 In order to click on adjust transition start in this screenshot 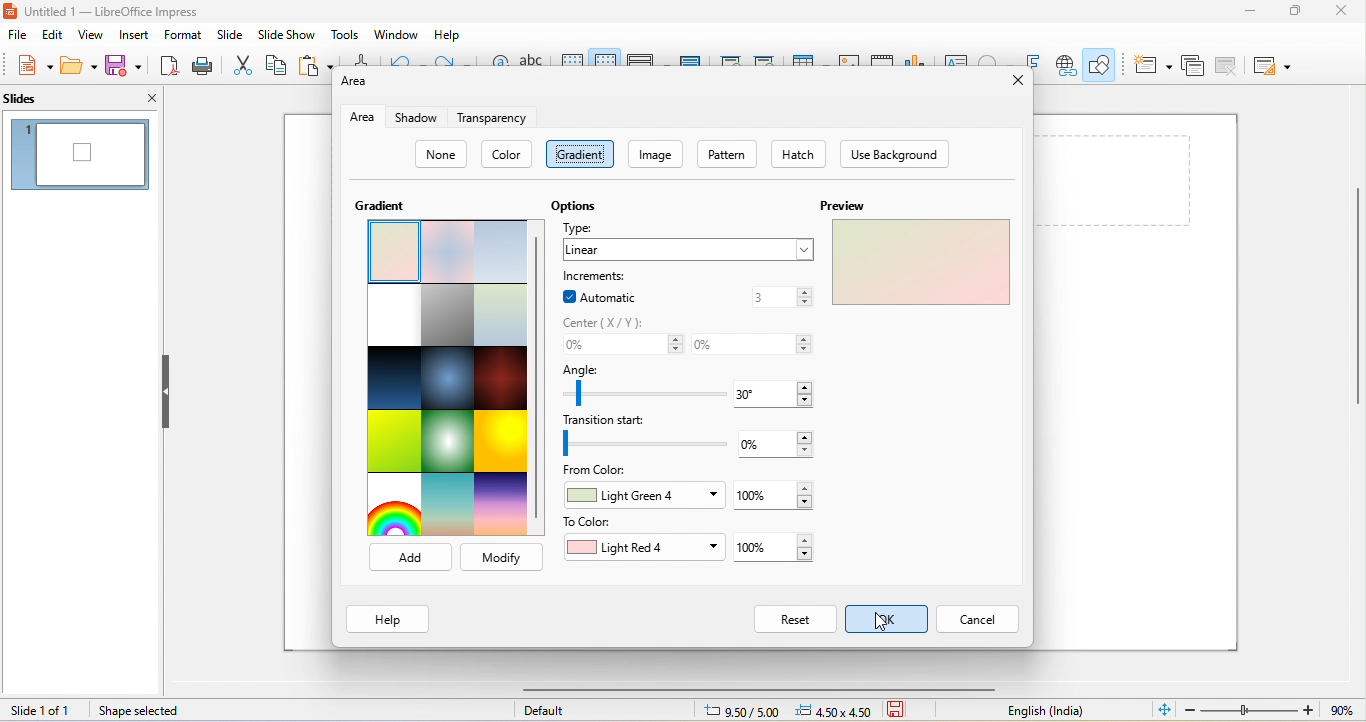, I will do `click(637, 443)`.